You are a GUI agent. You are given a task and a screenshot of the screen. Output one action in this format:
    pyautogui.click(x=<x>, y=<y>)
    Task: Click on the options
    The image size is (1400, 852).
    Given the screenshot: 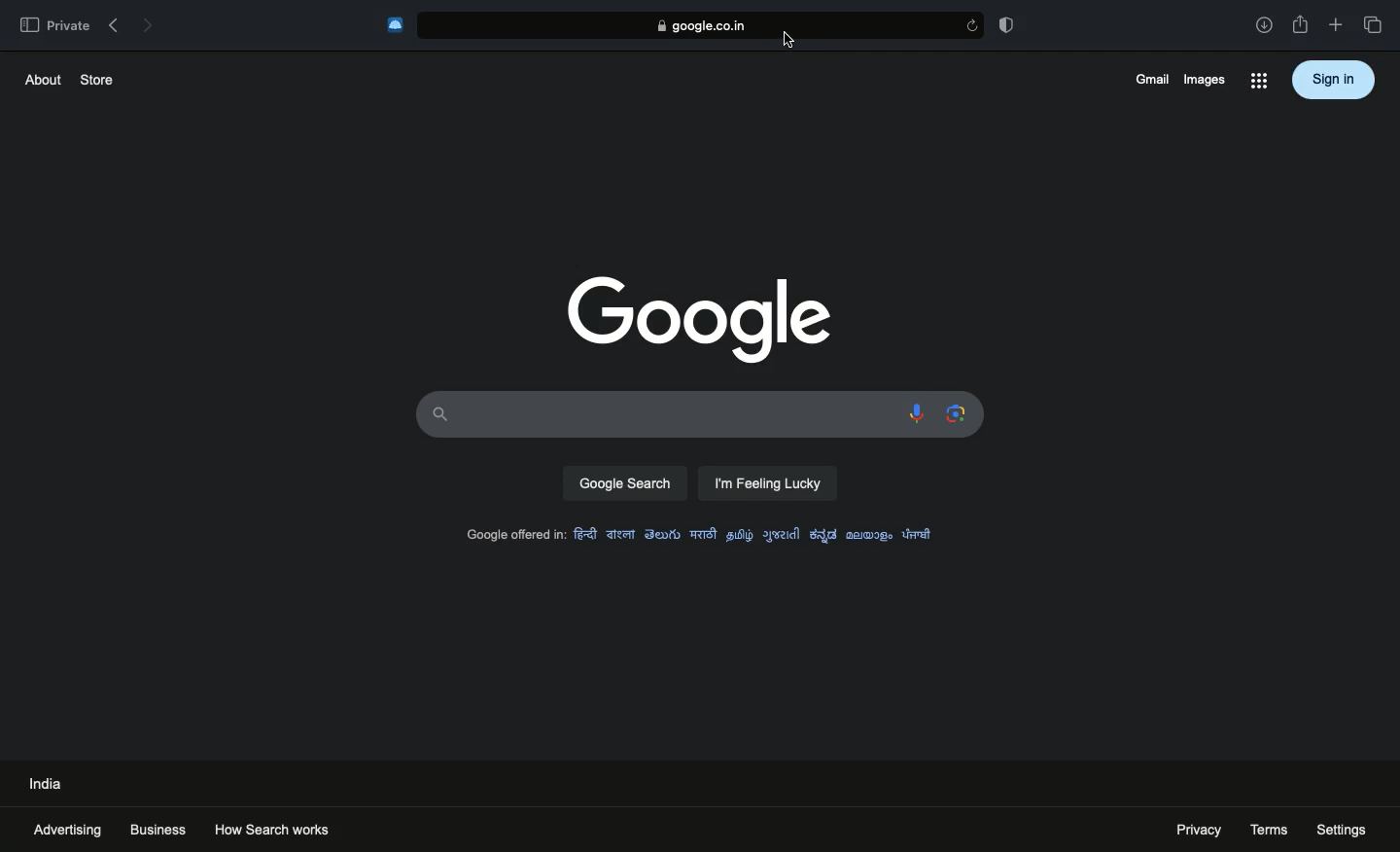 What is the action you would take?
    pyautogui.click(x=1258, y=83)
    